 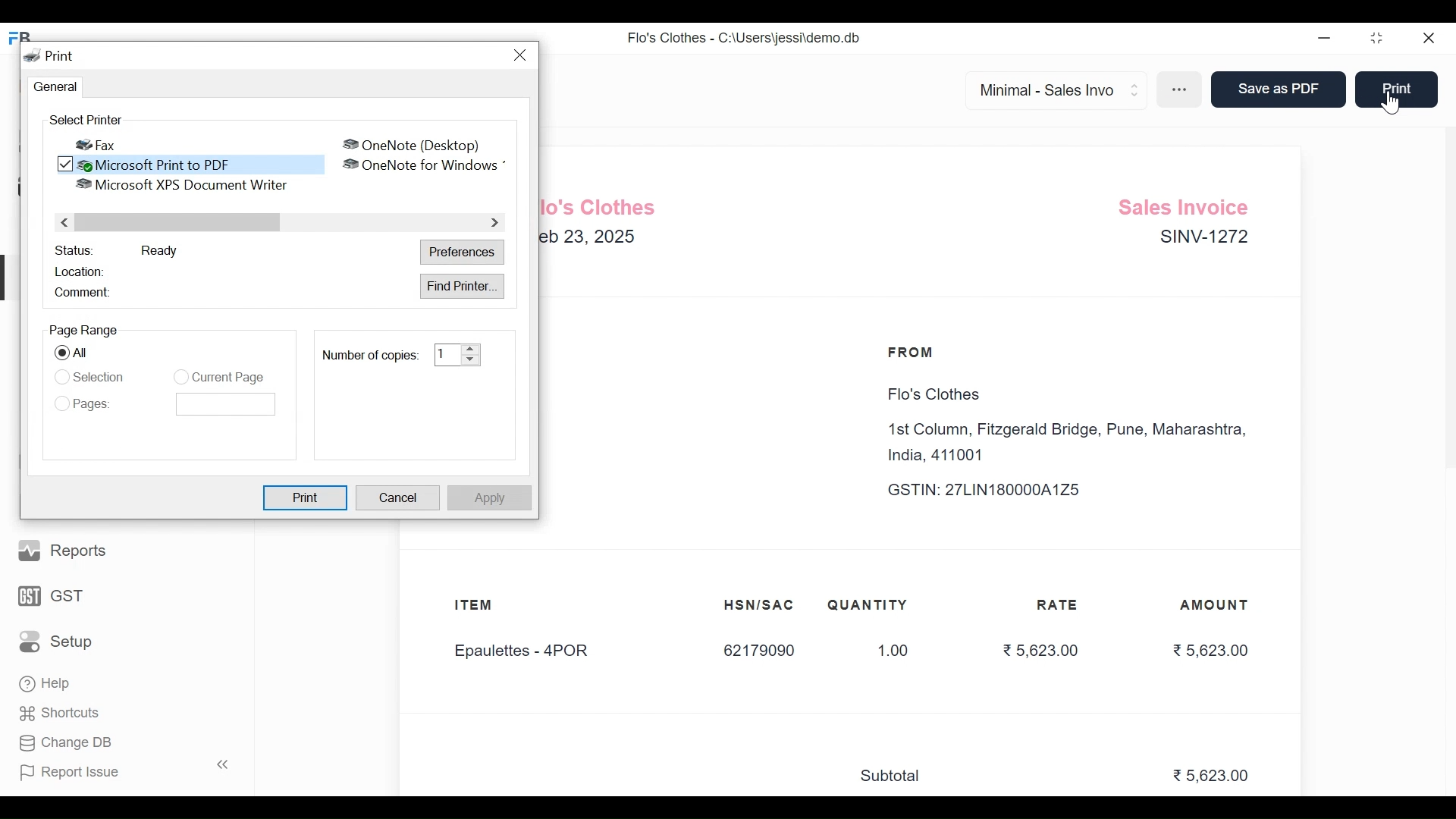 What do you see at coordinates (1136, 88) in the screenshot?
I see `Expand` at bounding box center [1136, 88].